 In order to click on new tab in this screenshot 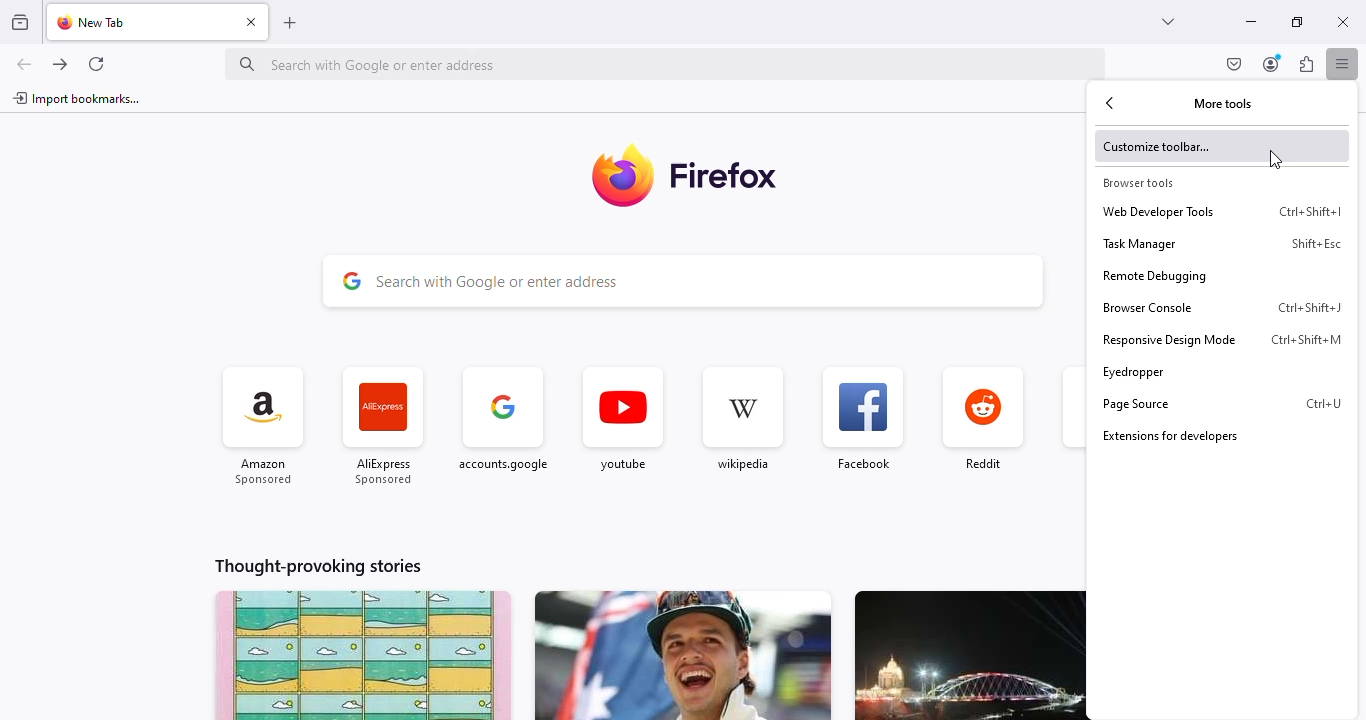, I will do `click(96, 22)`.